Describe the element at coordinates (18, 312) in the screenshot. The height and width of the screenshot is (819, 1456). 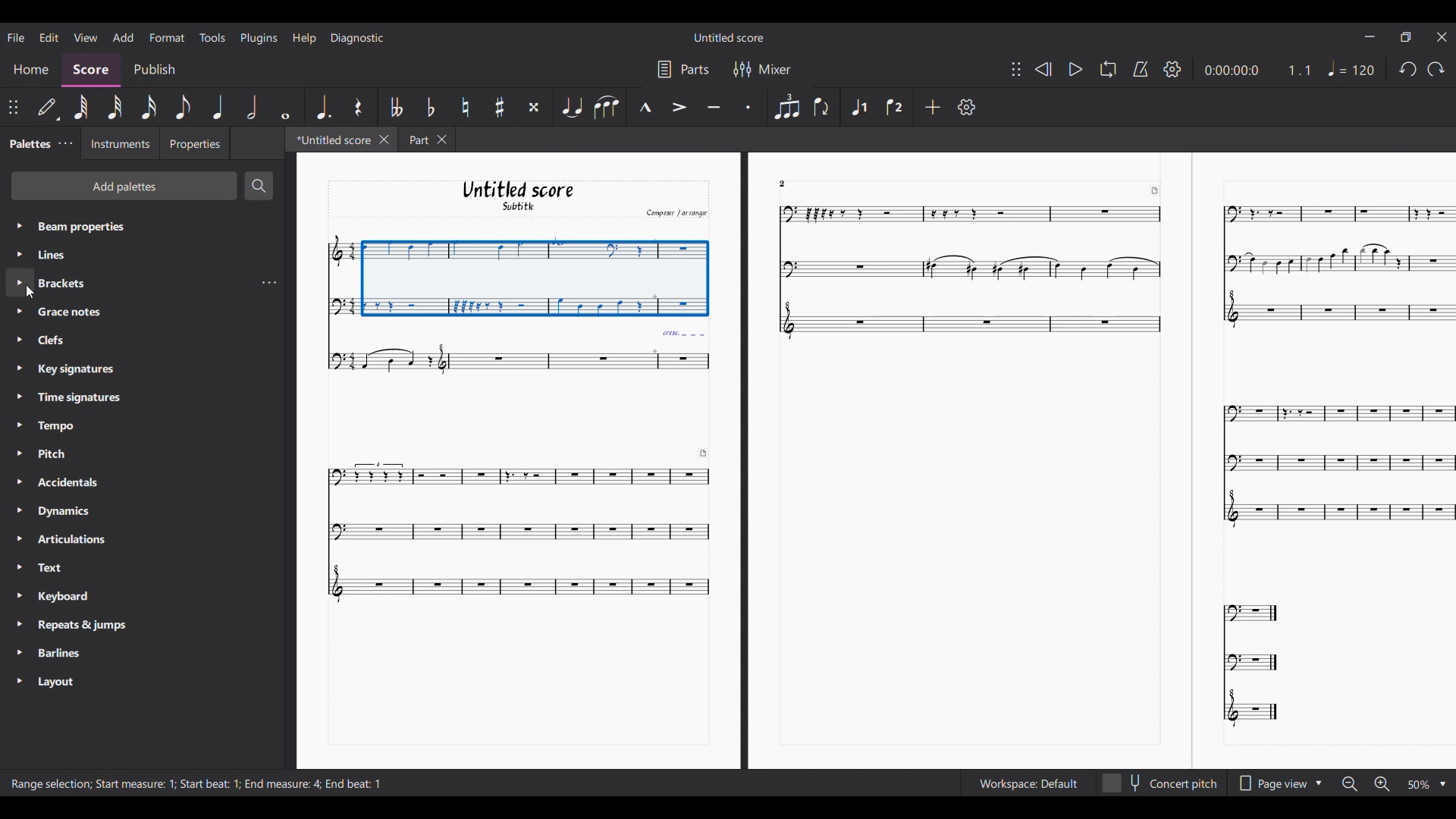
I see `` at that location.